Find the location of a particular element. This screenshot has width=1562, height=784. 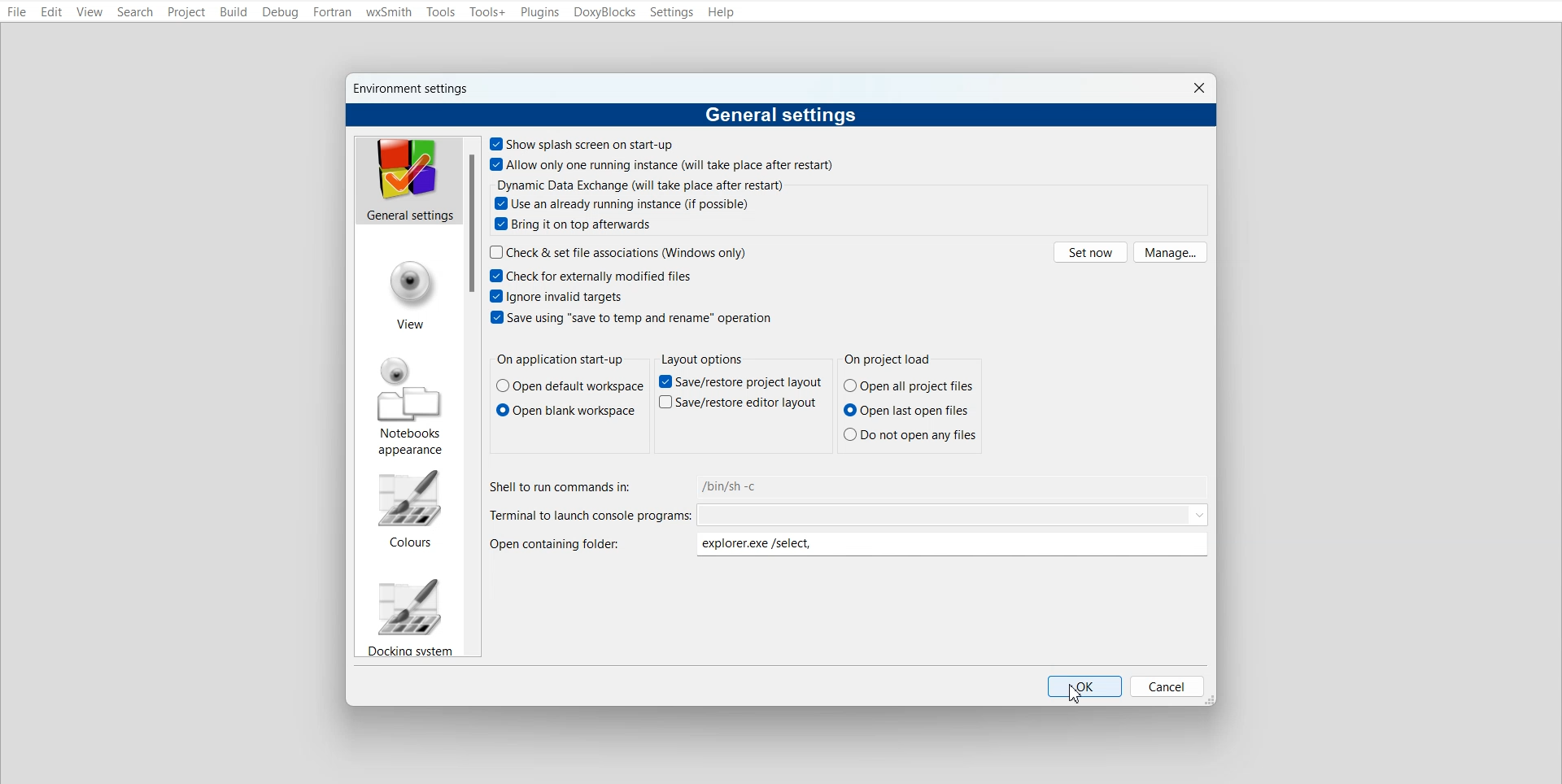

Open last open files is located at coordinates (910, 410).